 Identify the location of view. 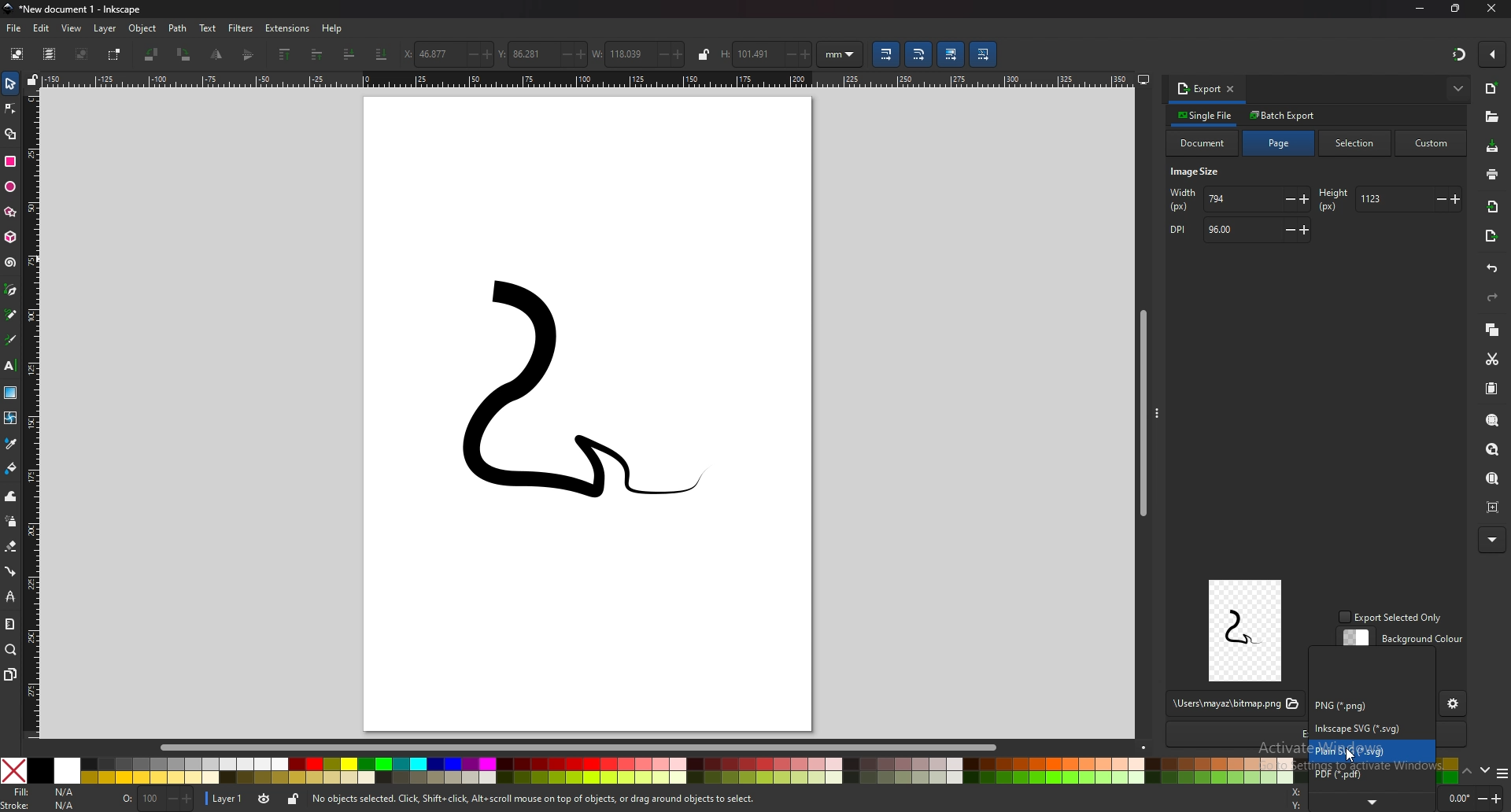
(72, 29).